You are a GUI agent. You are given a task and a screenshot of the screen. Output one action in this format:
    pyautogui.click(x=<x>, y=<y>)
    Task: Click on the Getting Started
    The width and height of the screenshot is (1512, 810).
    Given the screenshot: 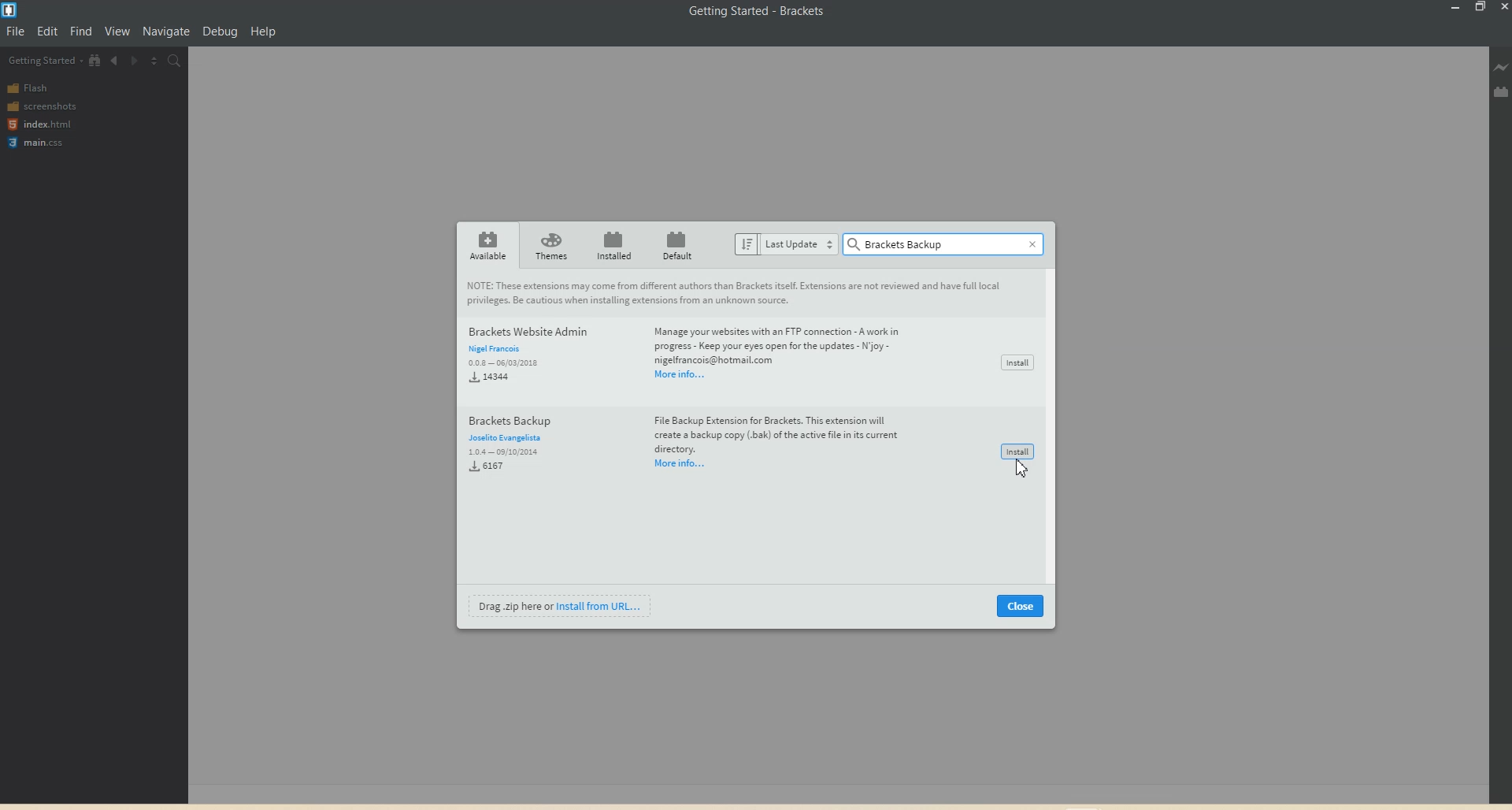 What is the action you would take?
    pyautogui.click(x=45, y=61)
    